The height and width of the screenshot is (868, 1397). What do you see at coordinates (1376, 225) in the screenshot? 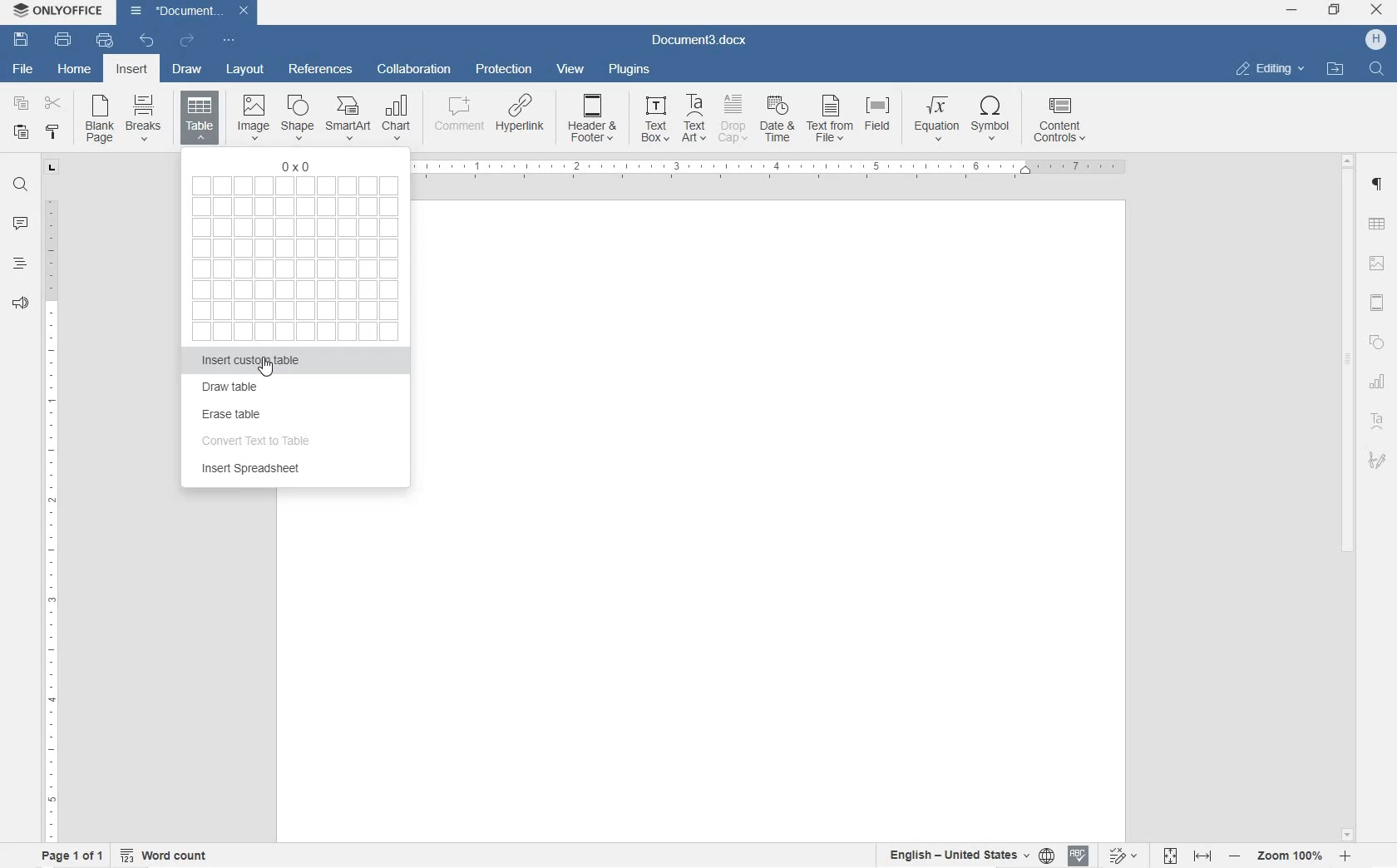
I see `TABLE` at bounding box center [1376, 225].